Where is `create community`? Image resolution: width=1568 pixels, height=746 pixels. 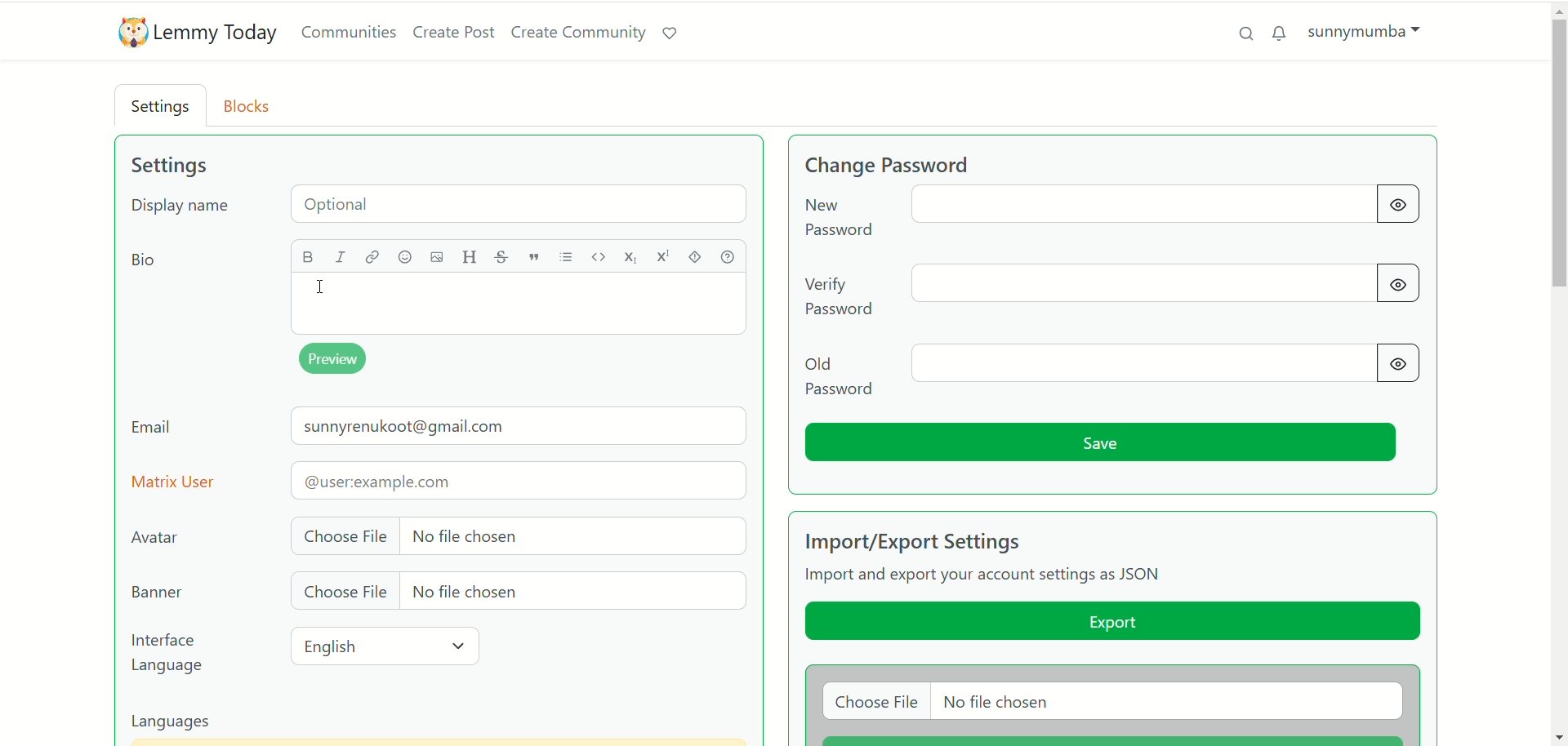 create community is located at coordinates (581, 33).